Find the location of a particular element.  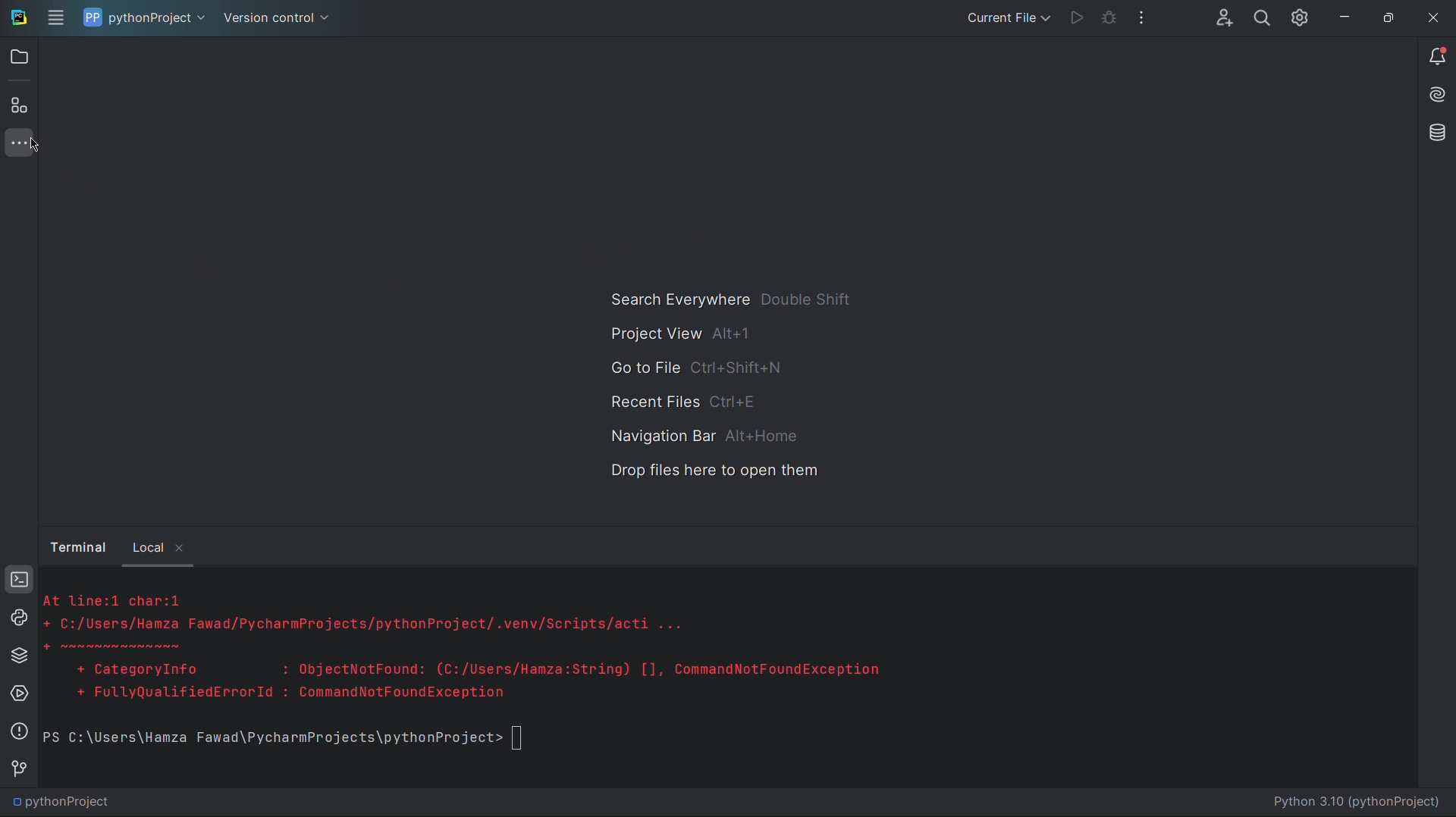

Bug Check is located at coordinates (1107, 19).